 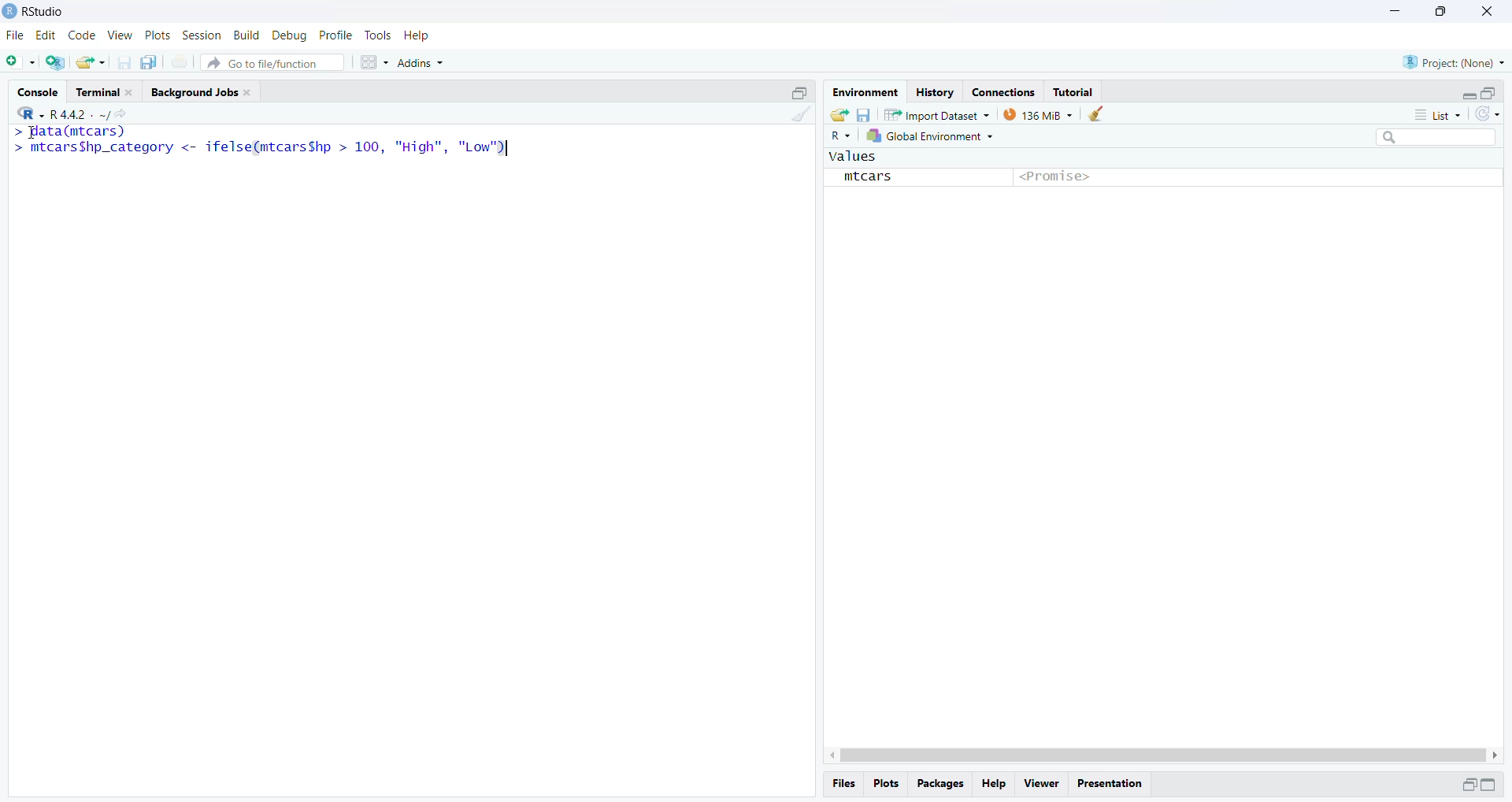 I want to click on R, so click(x=26, y=112).